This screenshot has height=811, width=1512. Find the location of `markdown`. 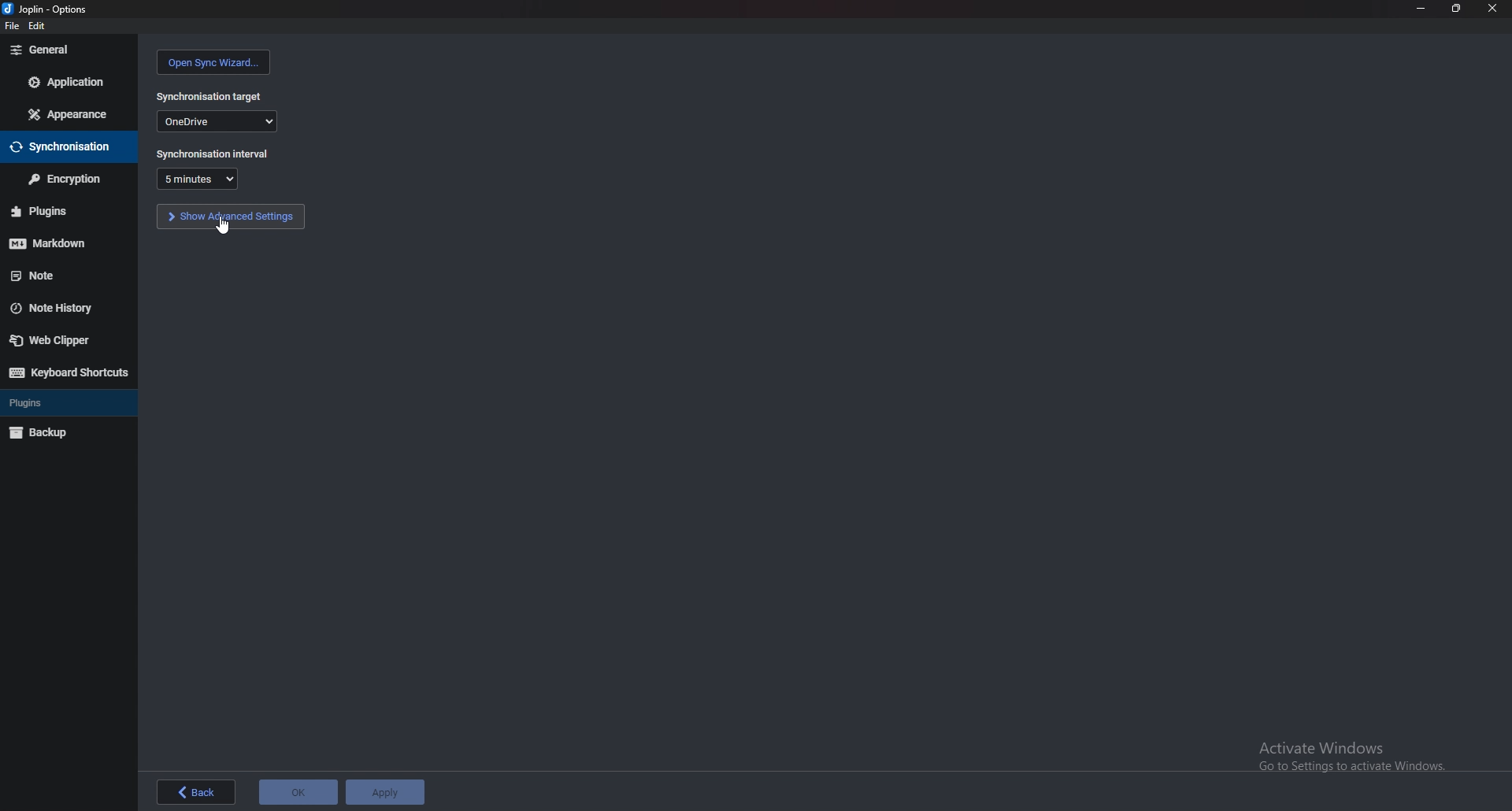

markdown is located at coordinates (57, 245).